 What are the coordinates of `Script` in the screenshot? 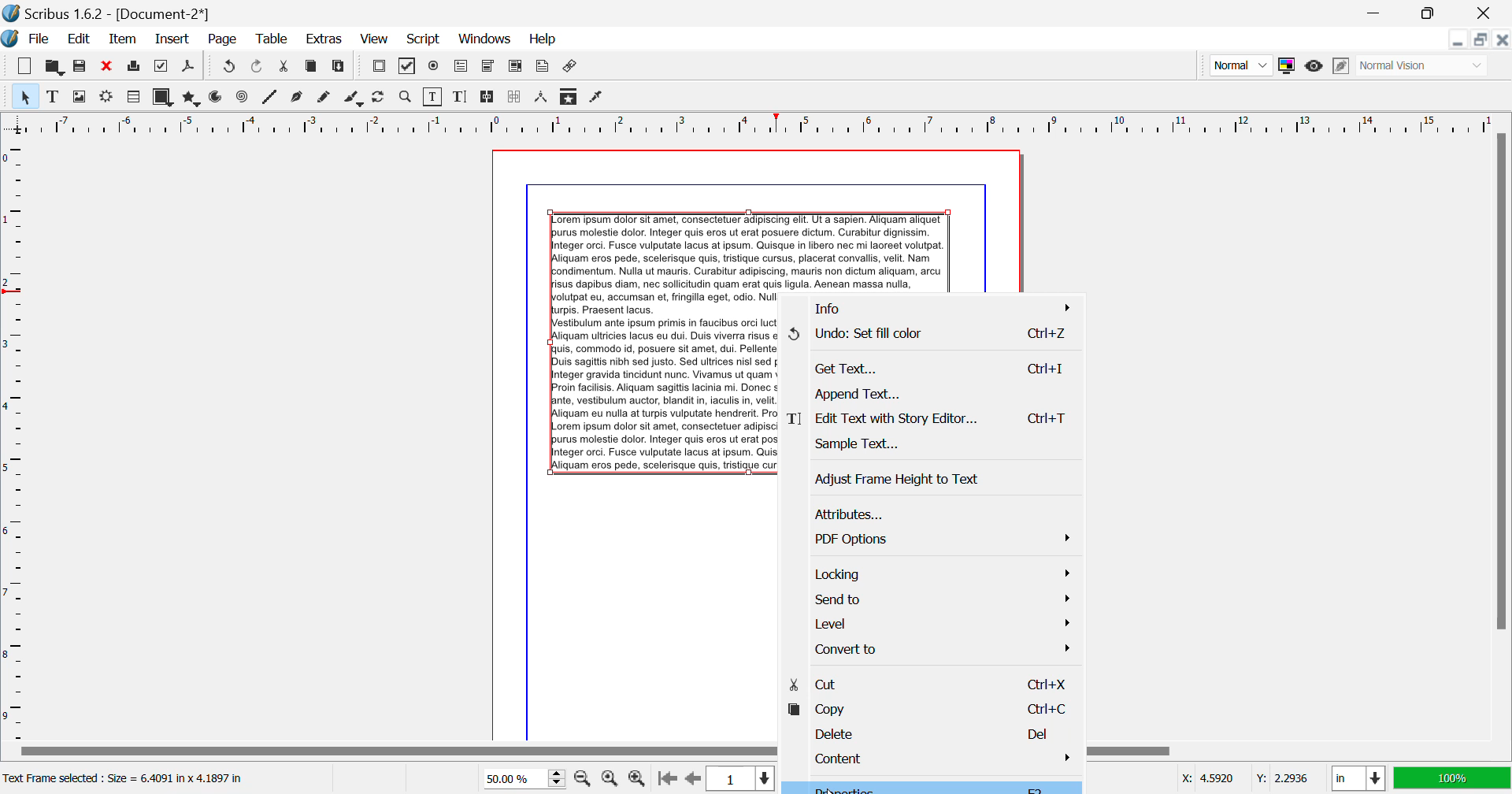 It's located at (424, 38).